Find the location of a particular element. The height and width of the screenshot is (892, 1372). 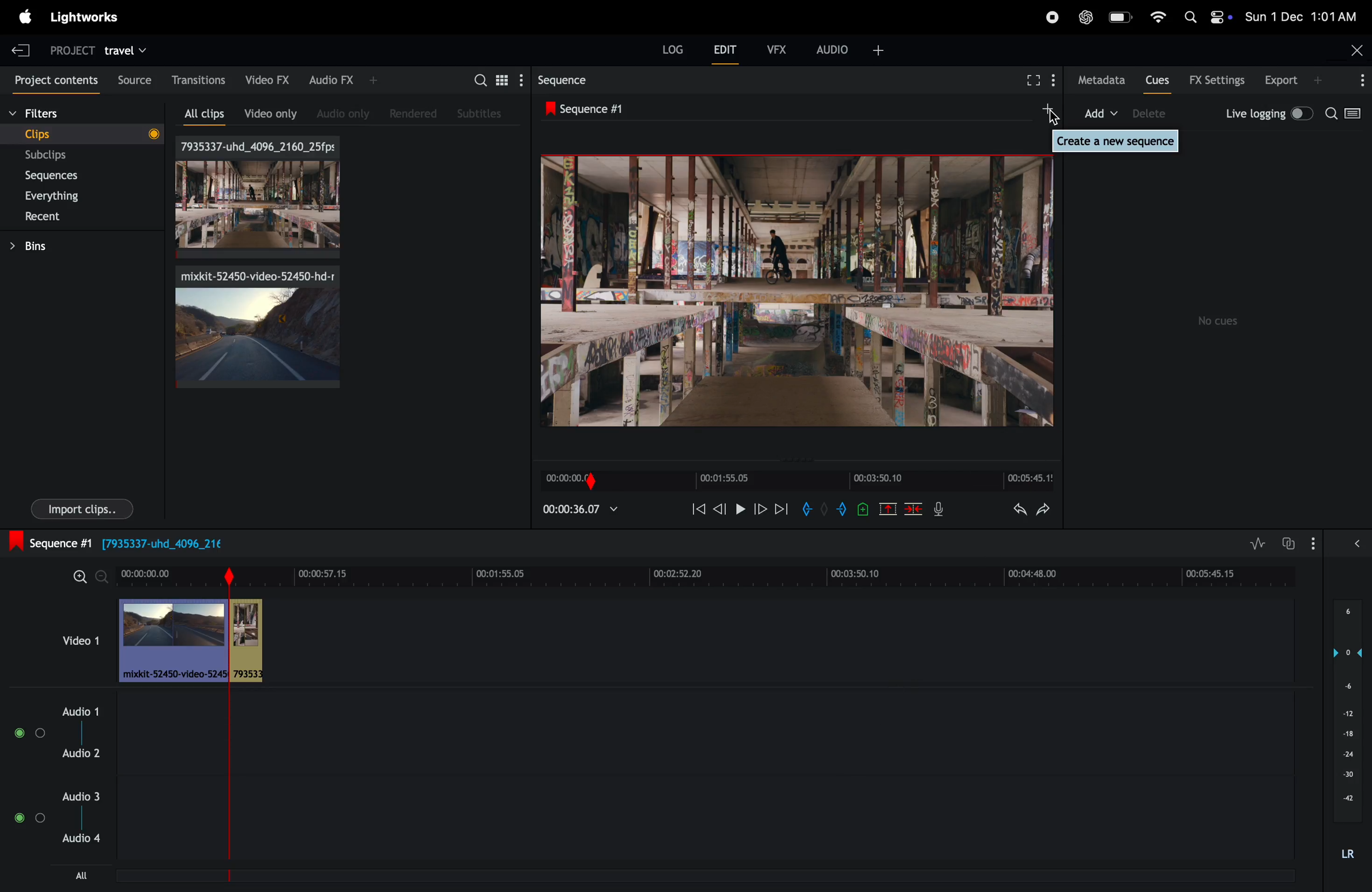

mic is located at coordinates (939, 511).